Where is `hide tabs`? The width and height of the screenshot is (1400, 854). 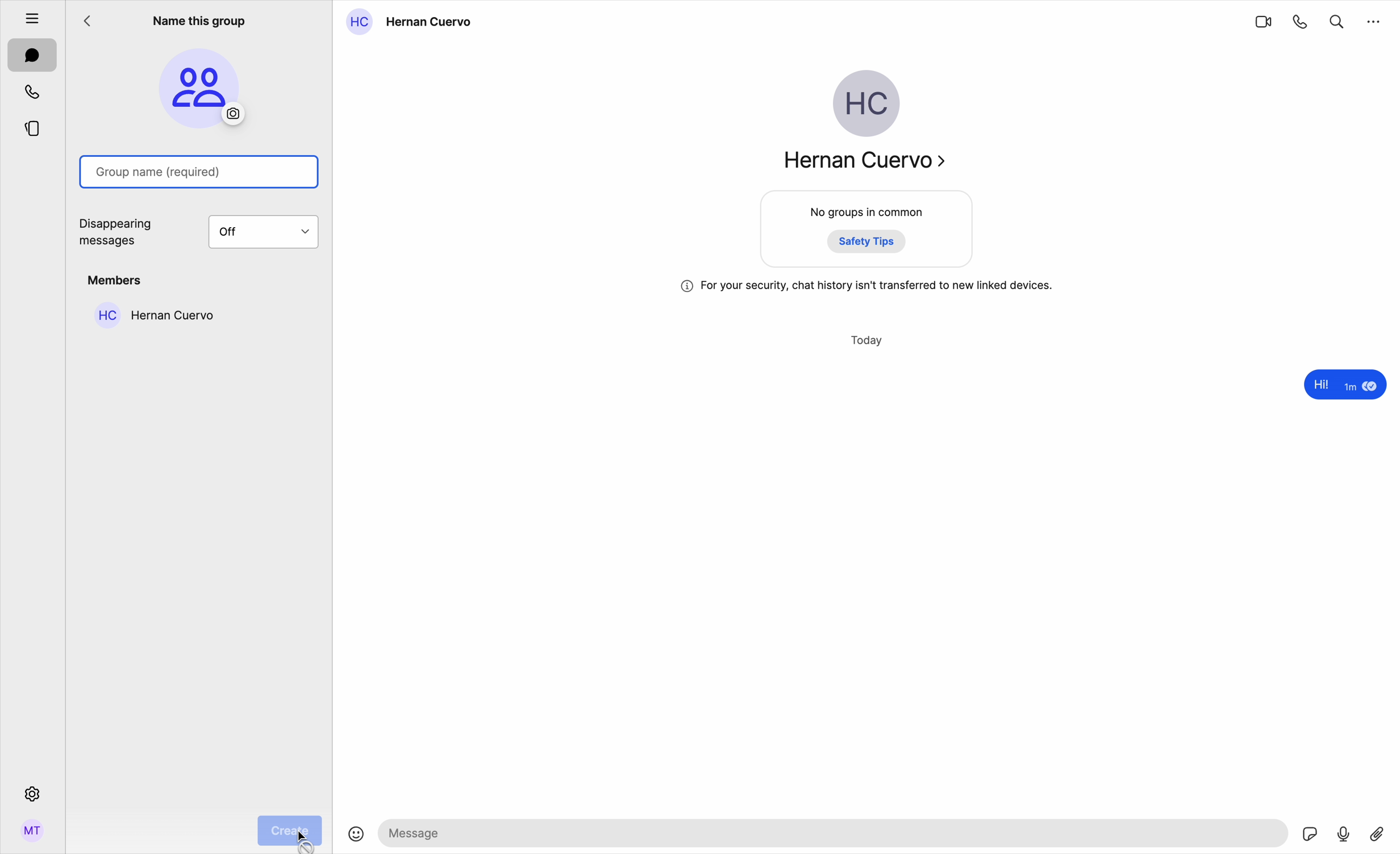
hide tabs is located at coordinates (26, 15).